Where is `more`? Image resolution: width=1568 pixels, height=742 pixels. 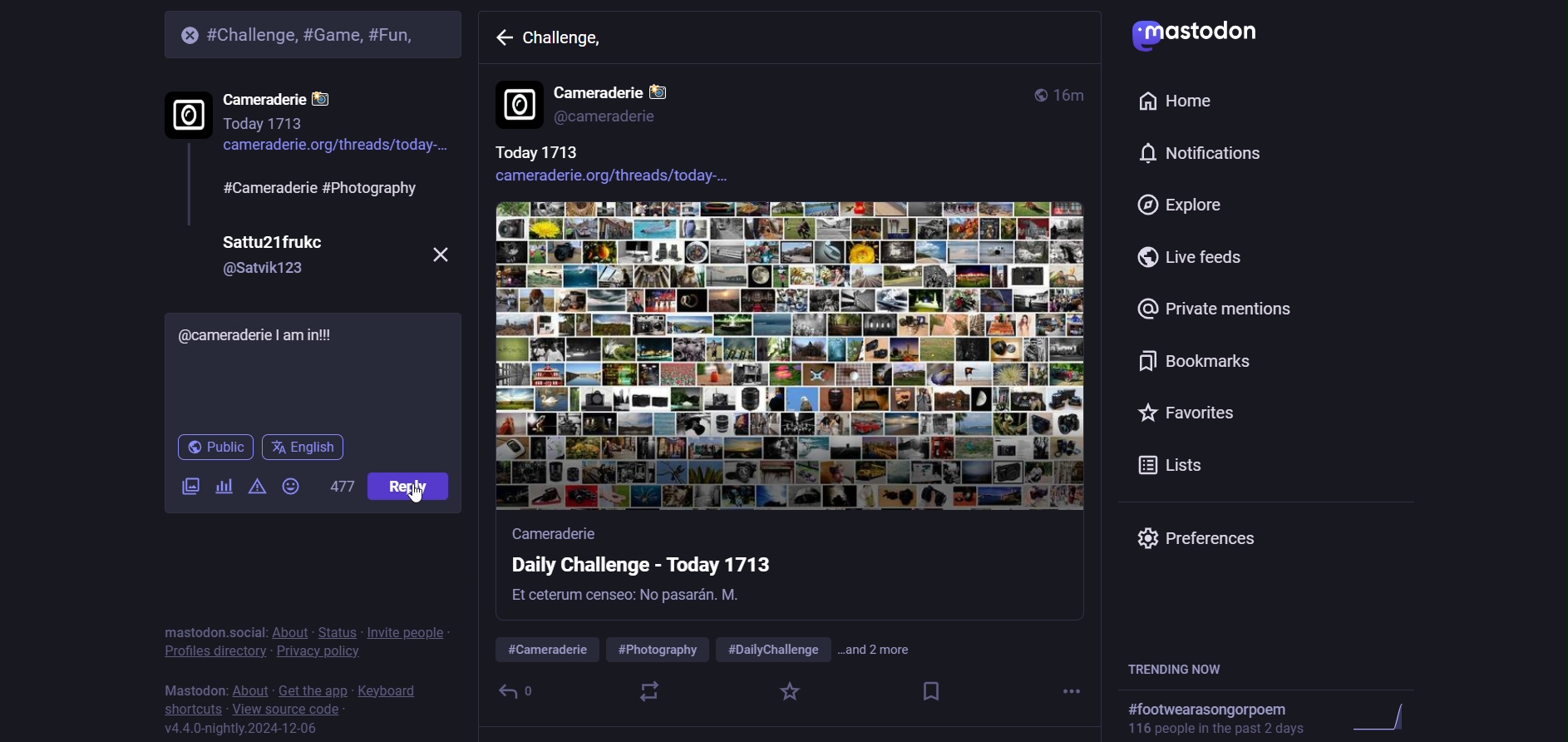
more is located at coordinates (1074, 693).